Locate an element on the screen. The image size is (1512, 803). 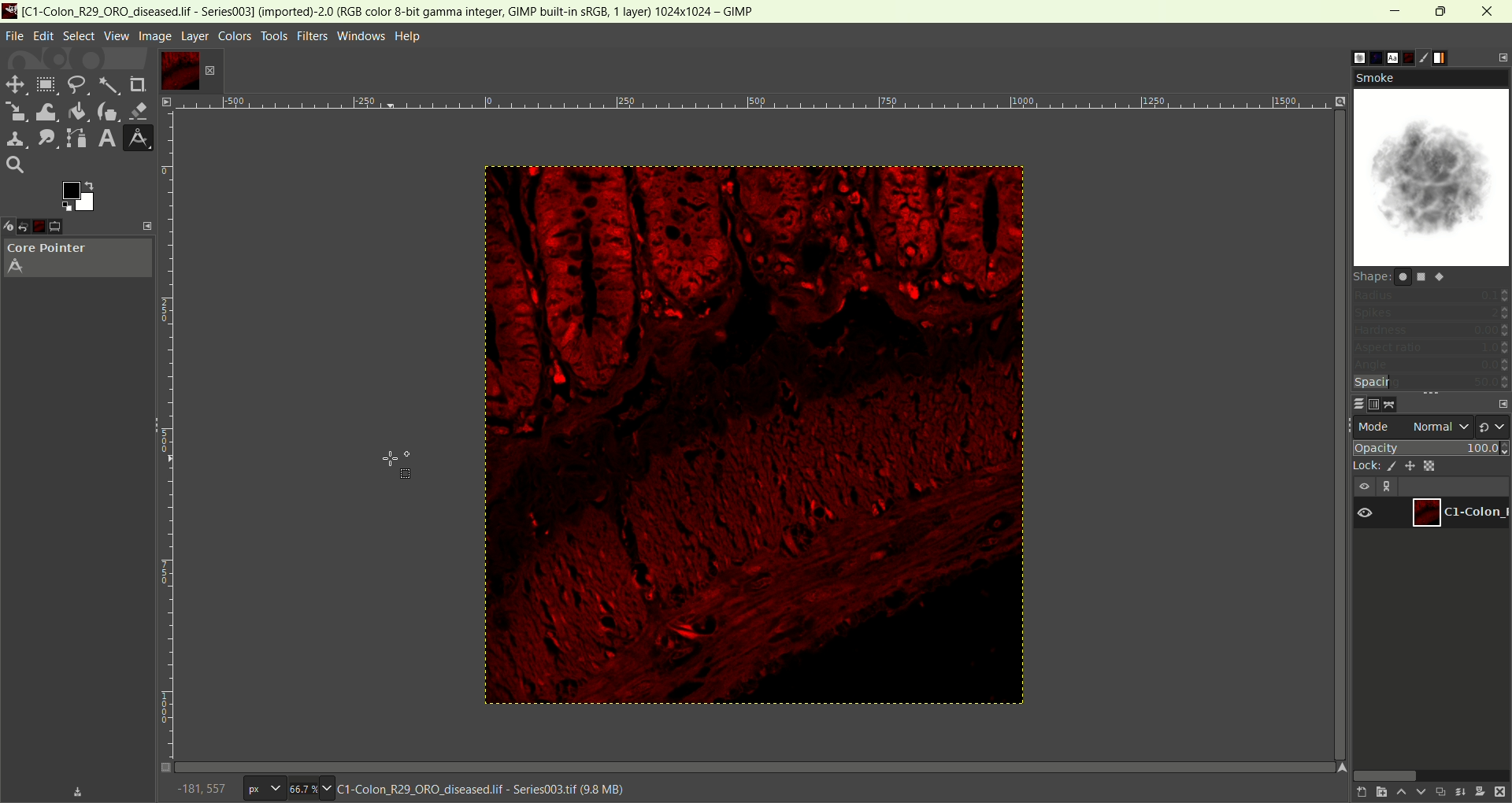
hardness is located at coordinates (1431, 331).